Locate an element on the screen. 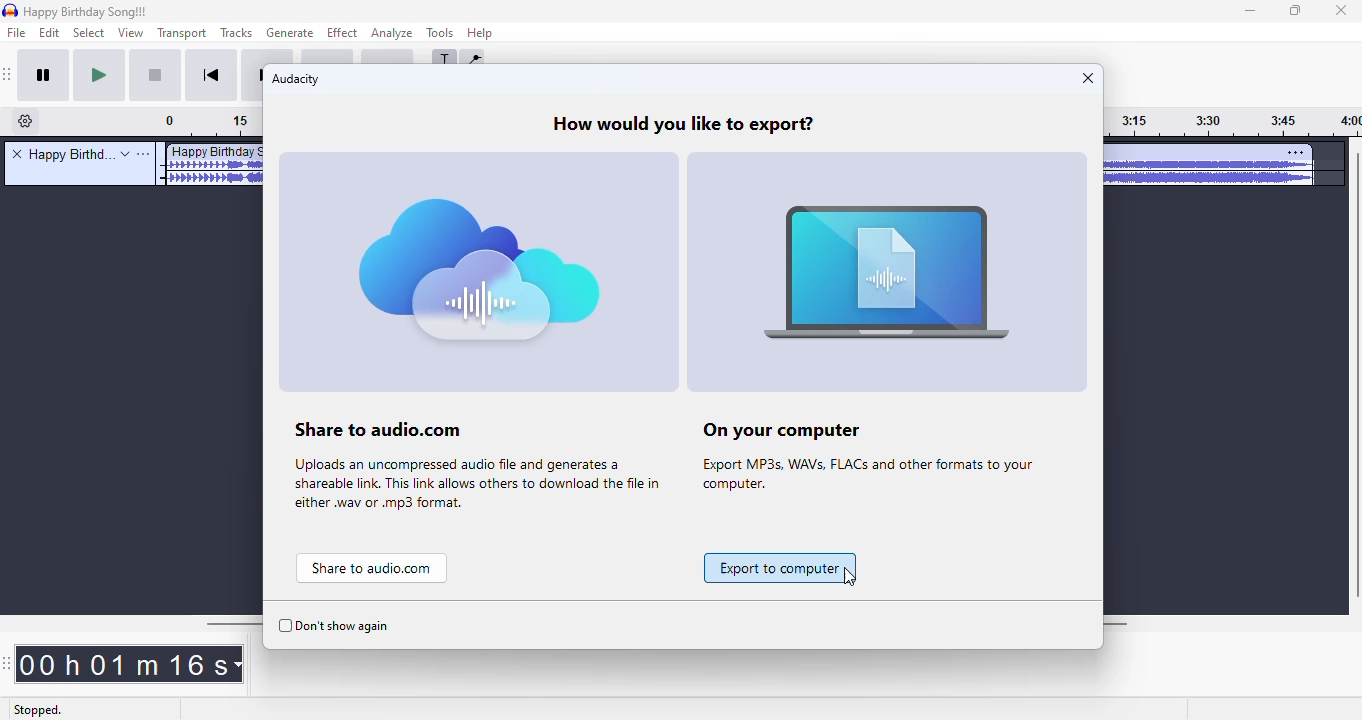 This screenshot has width=1362, height=720. file is located at coordinates (17, 33).